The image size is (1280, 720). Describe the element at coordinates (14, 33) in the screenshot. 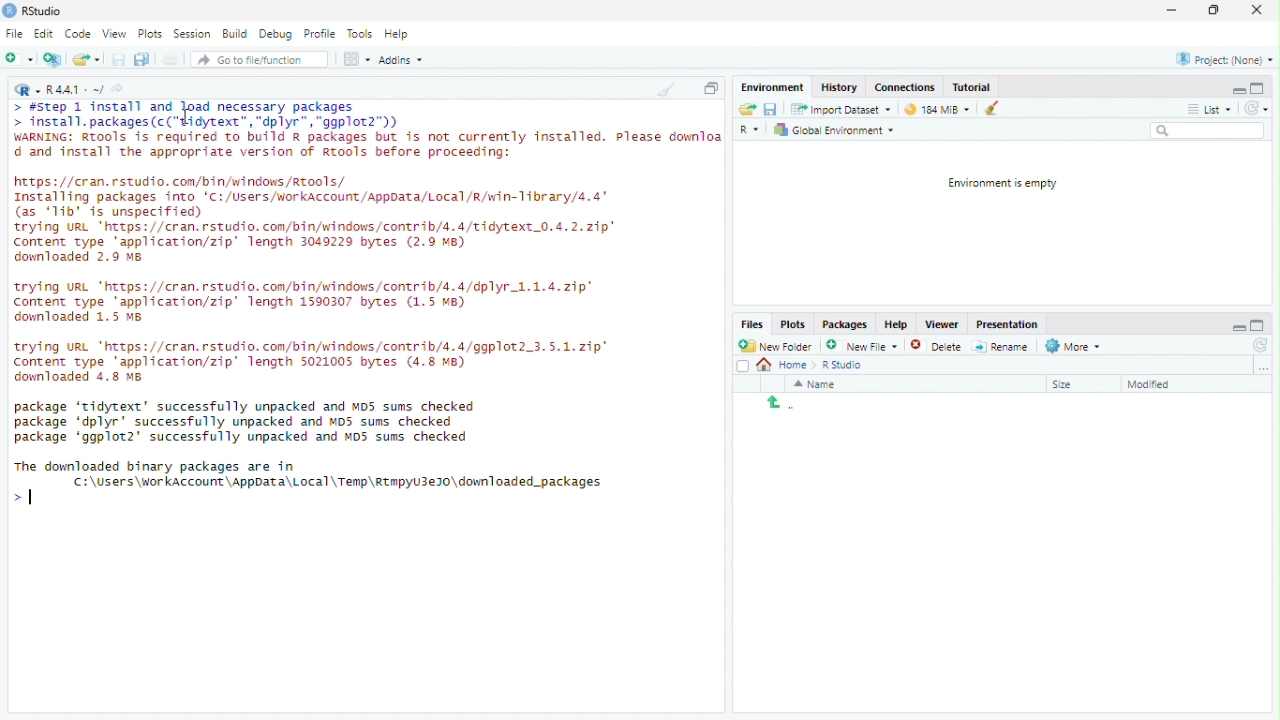

I see `File` at that location.